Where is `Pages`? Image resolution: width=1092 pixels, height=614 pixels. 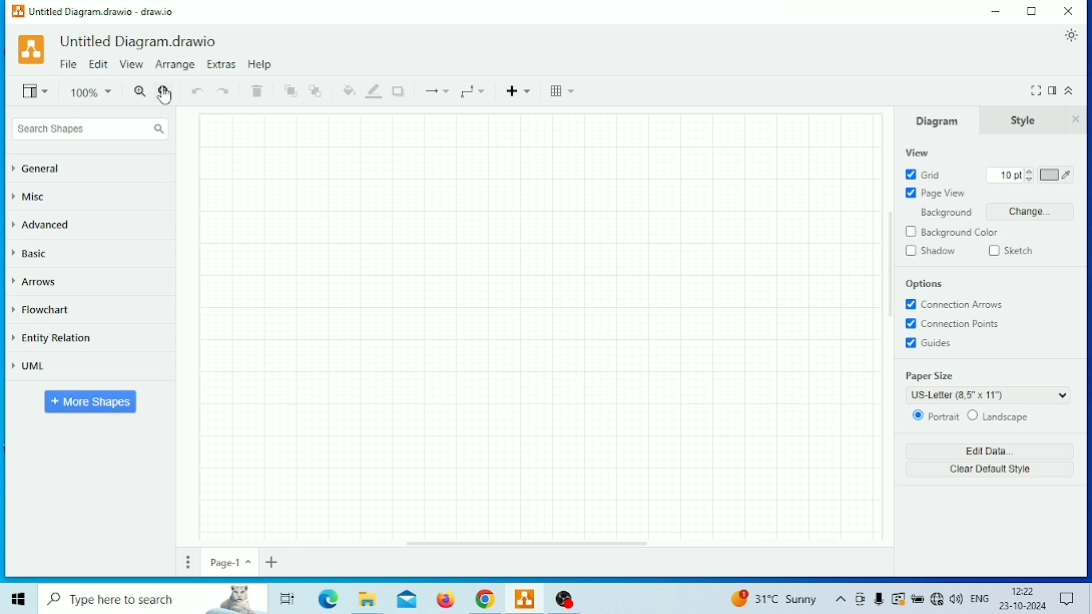 Pages is located at coordinates (189, 562).